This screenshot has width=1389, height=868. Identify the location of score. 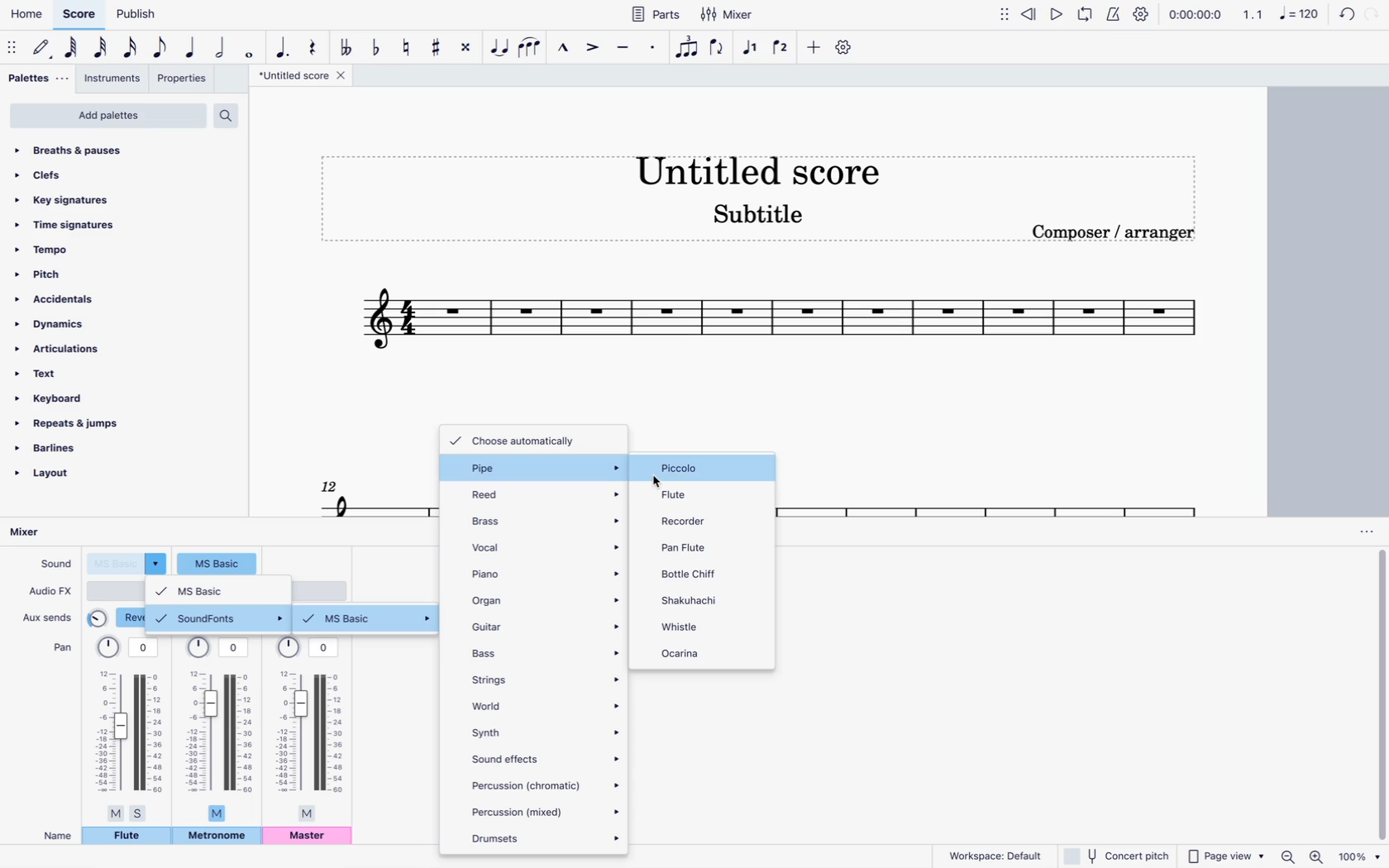
(79, 15).